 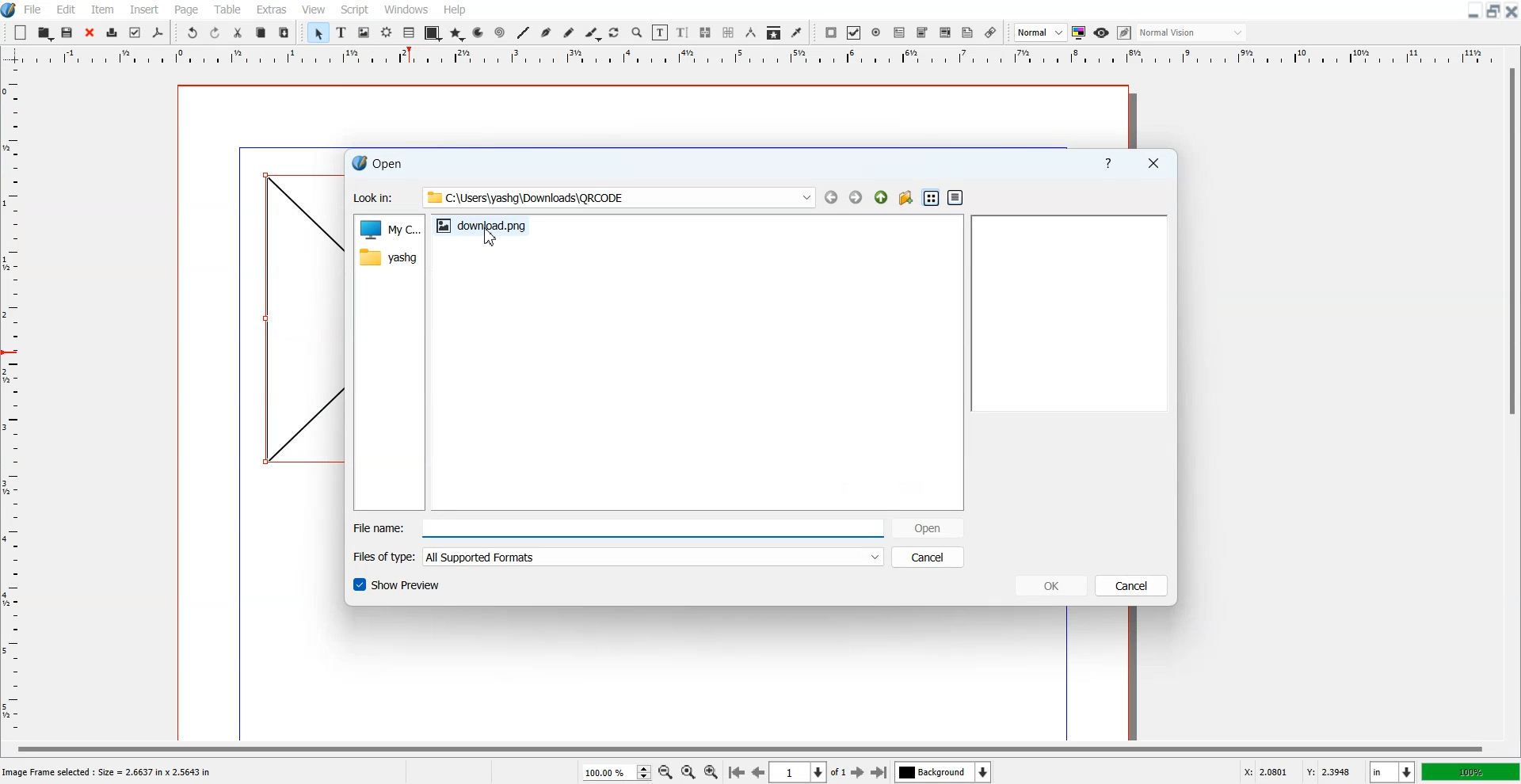 What do you see at coordinates (832, 32) in the screenshot?
I see `PDF Push Button` at bounding box center [832, 32].